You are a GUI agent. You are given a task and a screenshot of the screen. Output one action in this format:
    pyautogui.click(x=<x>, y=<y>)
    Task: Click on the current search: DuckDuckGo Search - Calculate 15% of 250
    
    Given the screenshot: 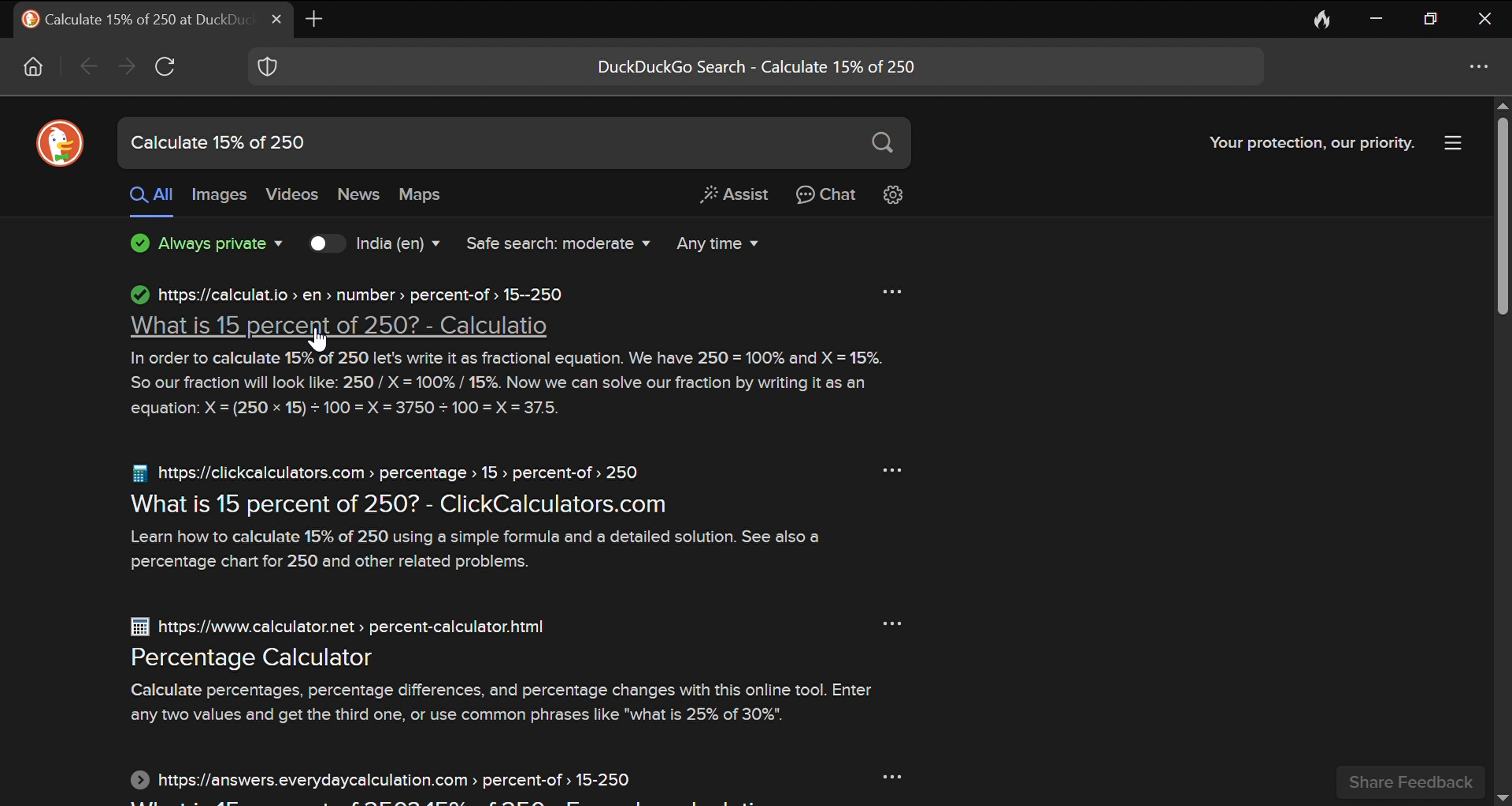 What is the action you would take?
    pyautogui.click(x=765, y=68)
    